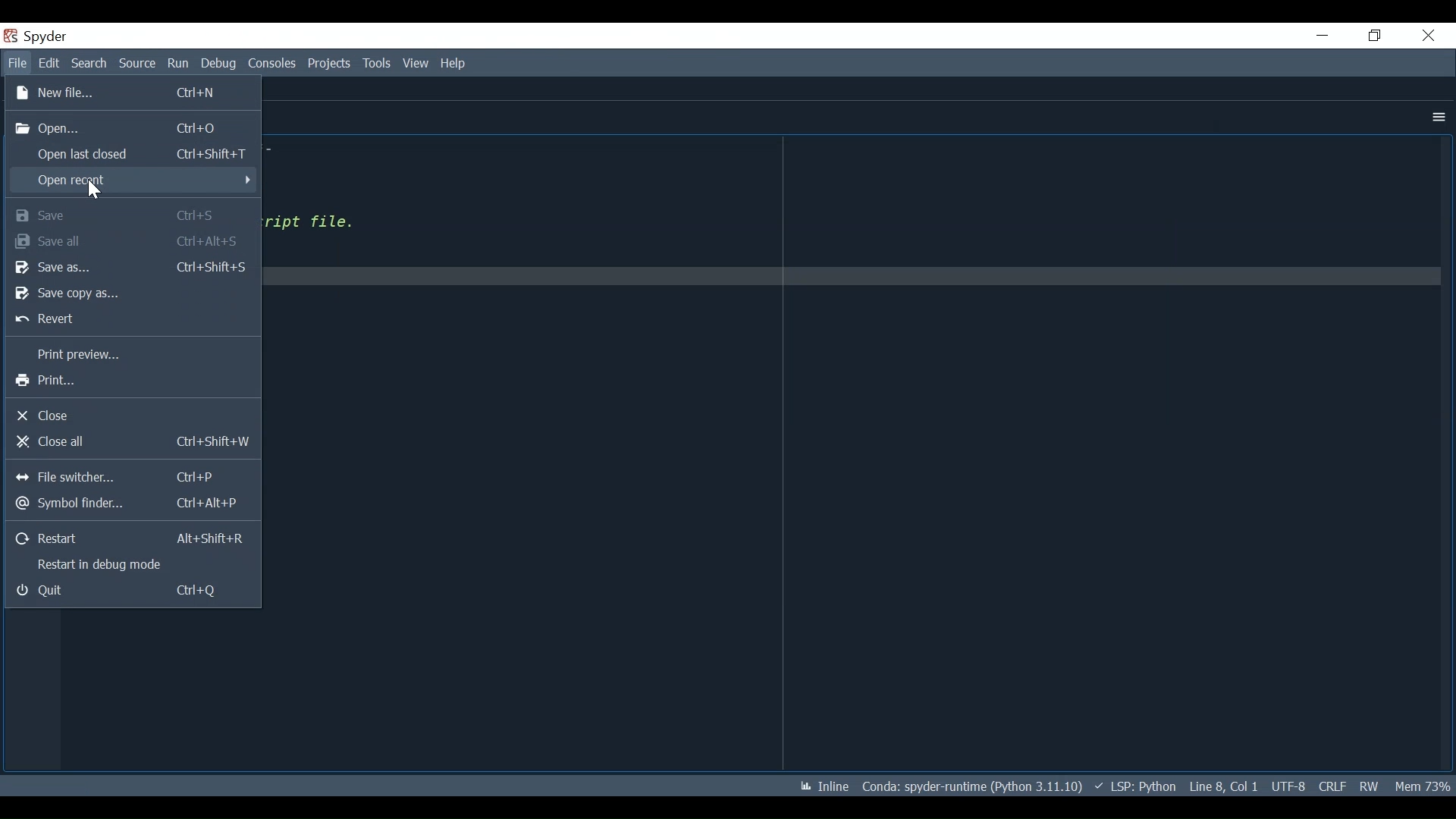  Describe the element at coordinates (1429, 35) in the screenshot. I see `Close` at that location.